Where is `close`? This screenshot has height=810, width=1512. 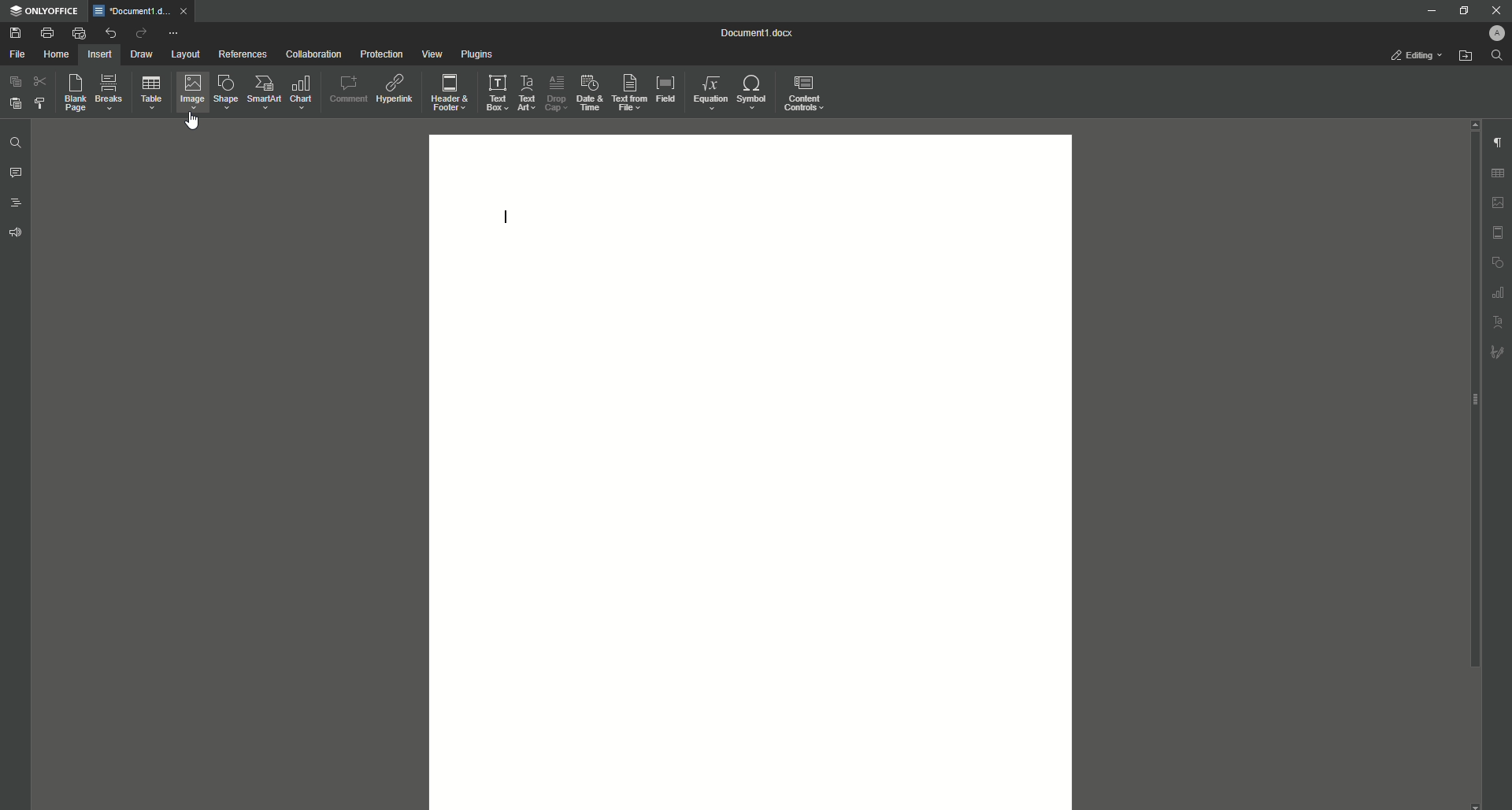 close is located at coordinates (184, 10).